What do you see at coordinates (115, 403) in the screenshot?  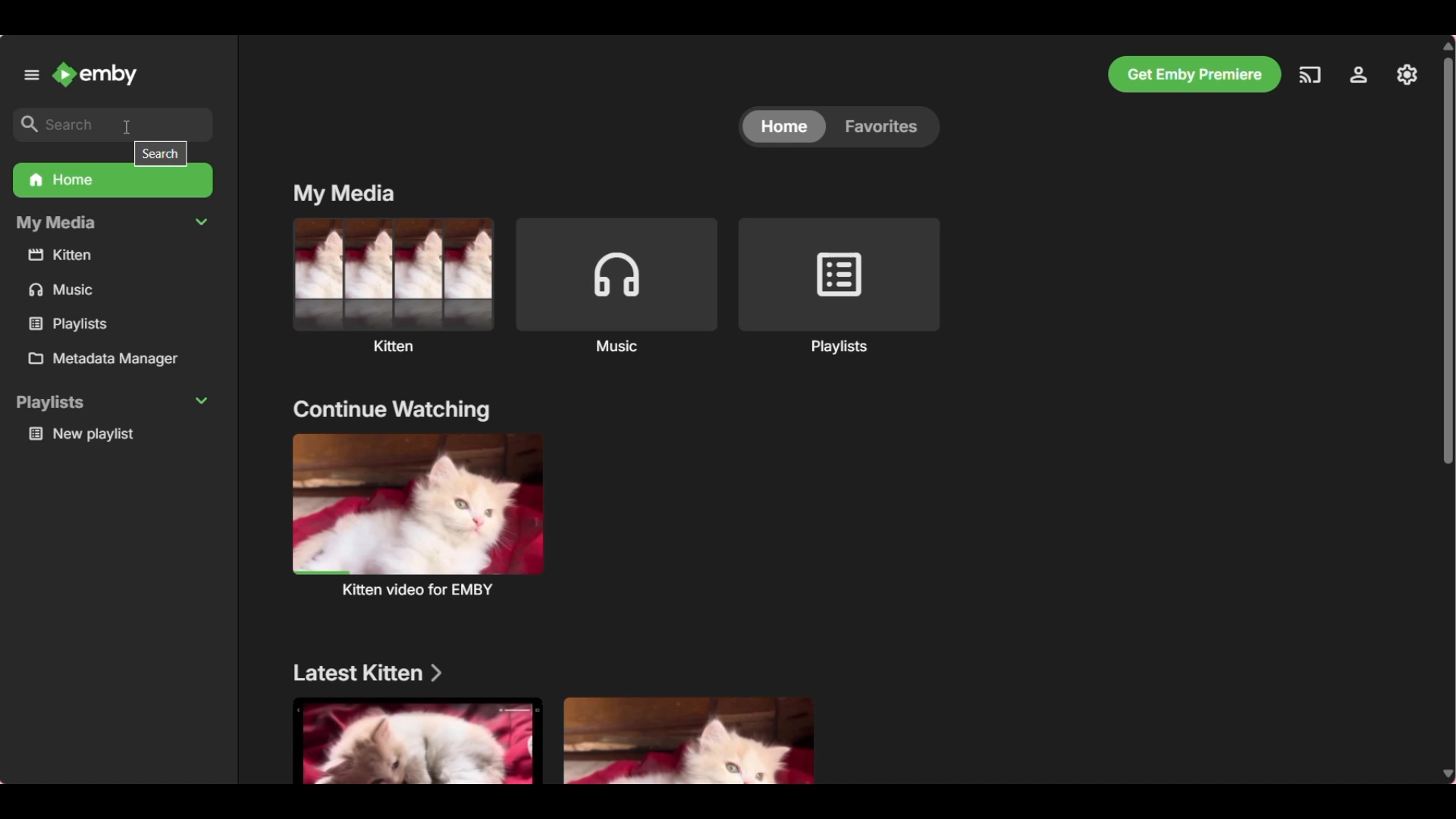 I see `Playlists` at bounding box center [115, 403].